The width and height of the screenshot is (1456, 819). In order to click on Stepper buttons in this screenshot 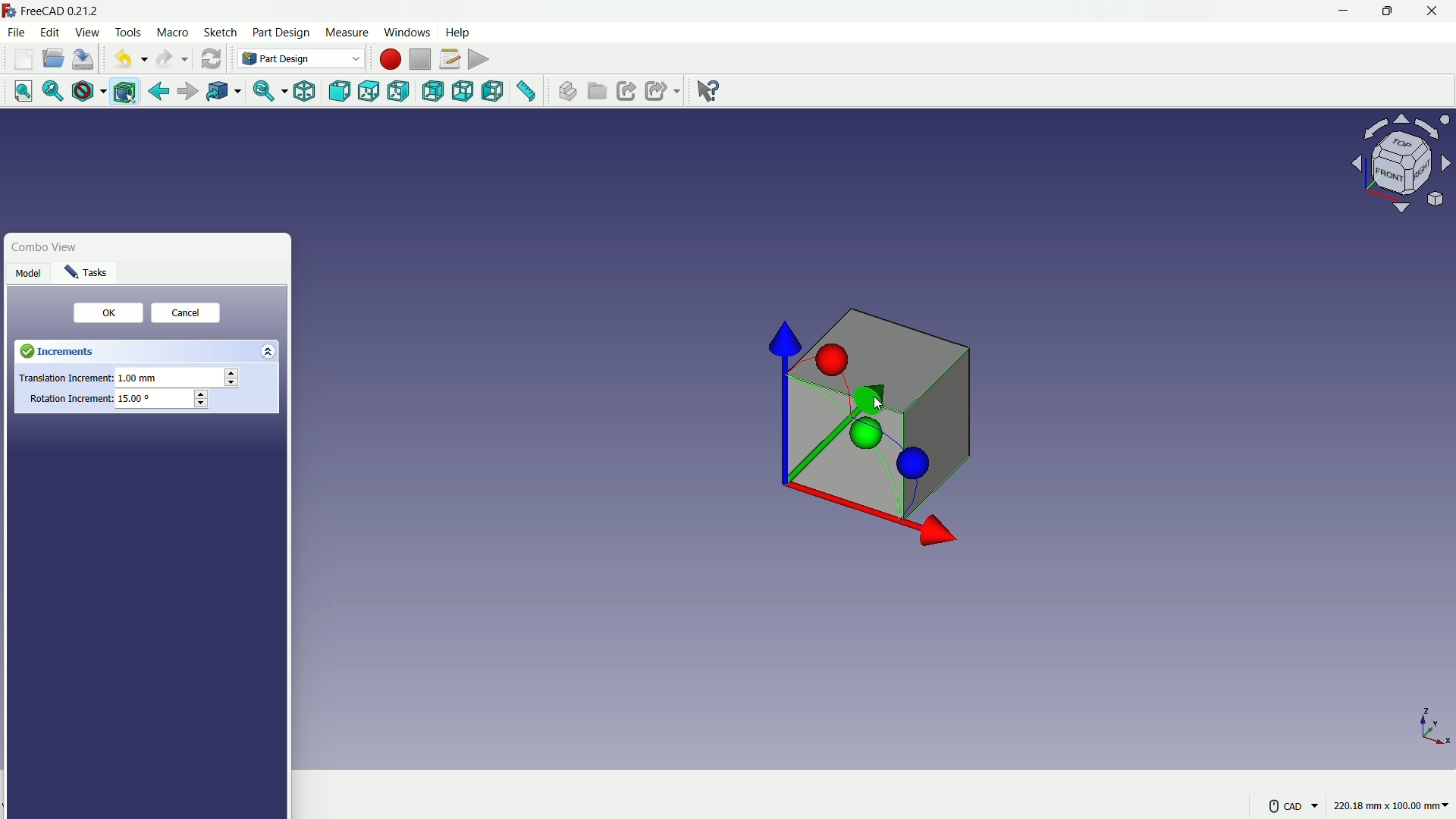, I will do `click(232, 378)`.